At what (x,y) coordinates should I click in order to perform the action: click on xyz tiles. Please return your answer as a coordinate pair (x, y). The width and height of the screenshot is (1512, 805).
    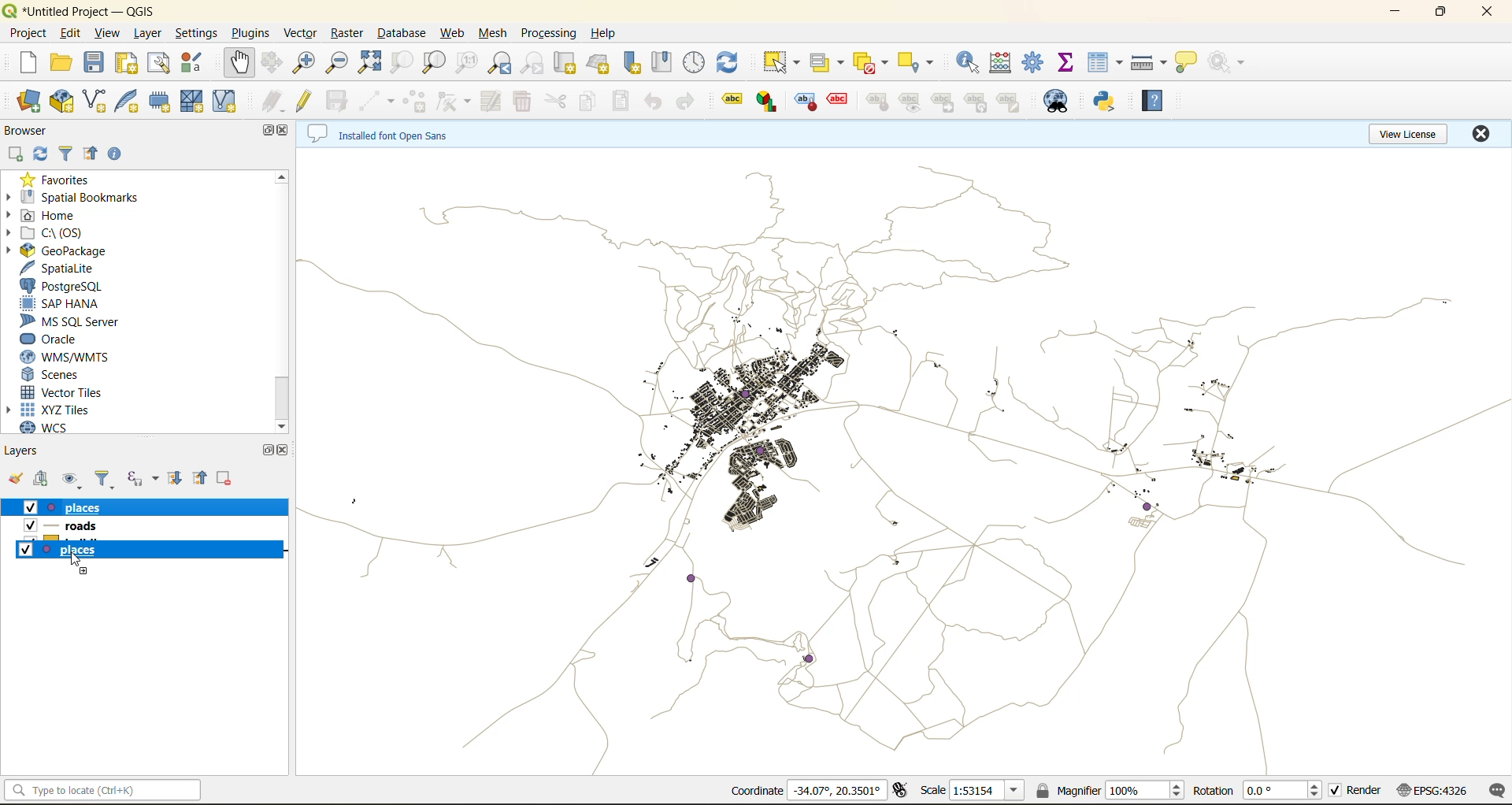
    Looking at the image, I should click on (71, 409).